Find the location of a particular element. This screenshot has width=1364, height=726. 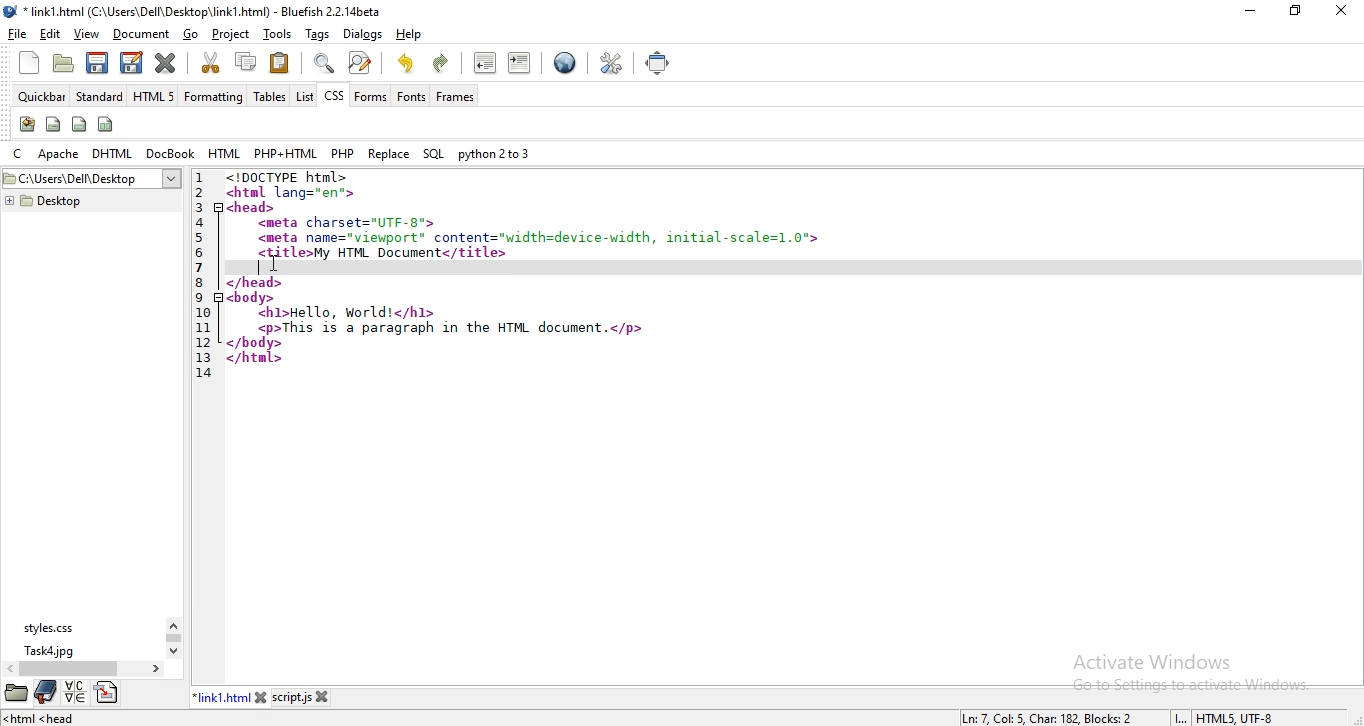

1 is located at coordinates (198, 178).